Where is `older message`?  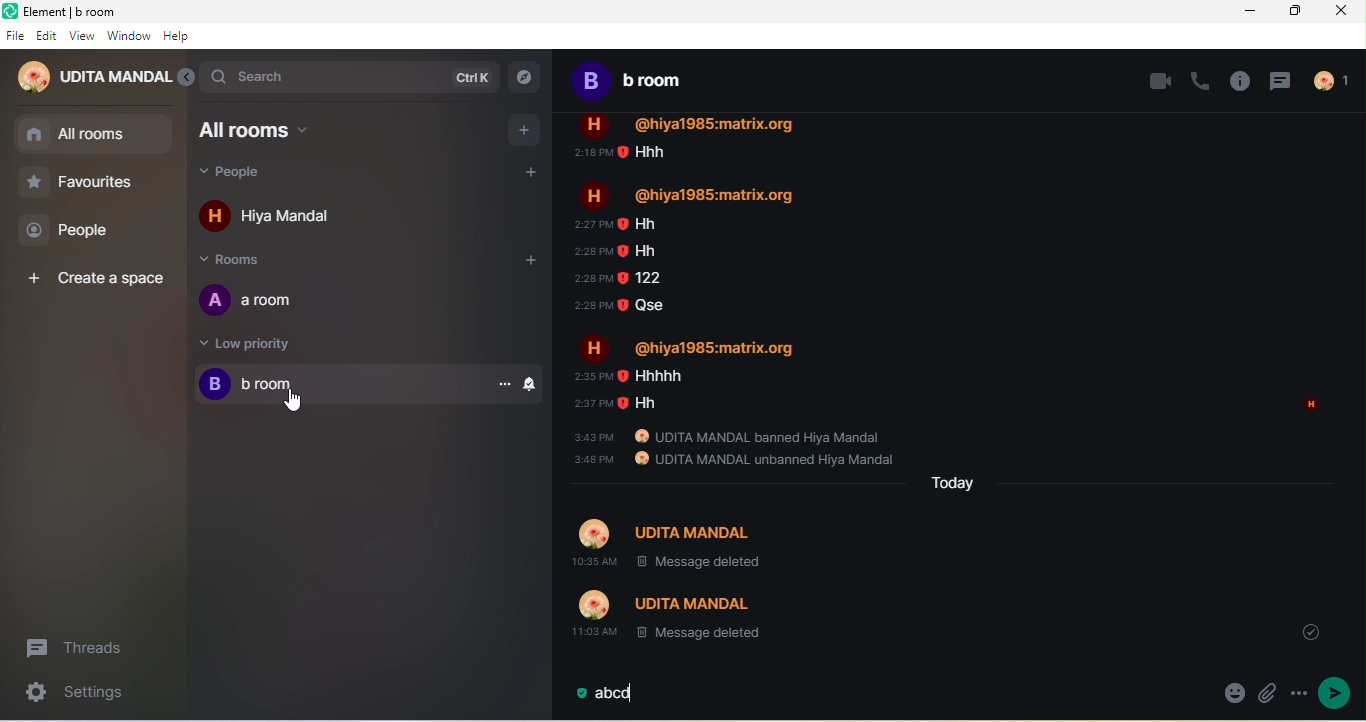
older message is located at coordinates (969, 382).